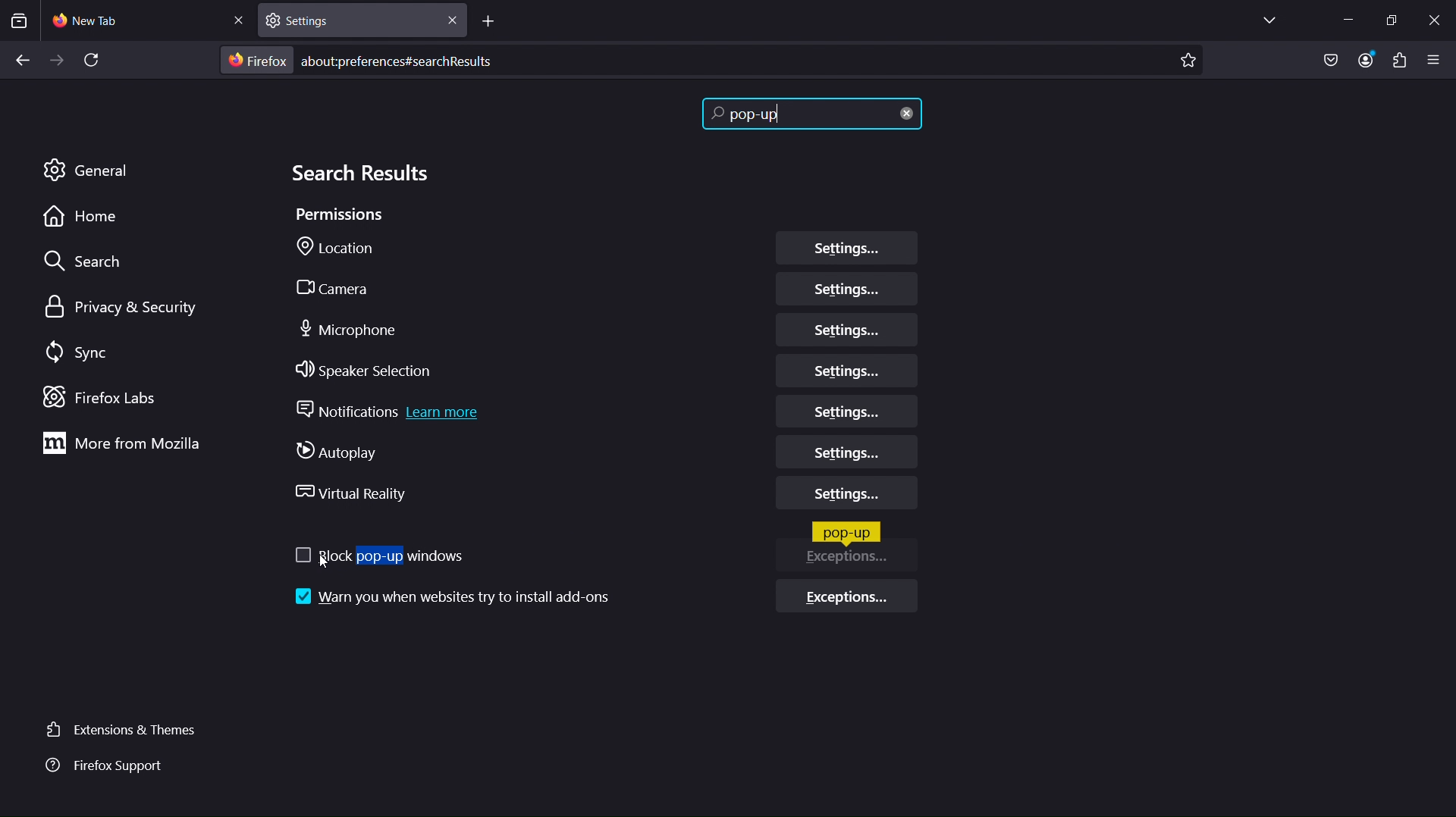  I want to click on Save to Pocket, so click(1331, 57).